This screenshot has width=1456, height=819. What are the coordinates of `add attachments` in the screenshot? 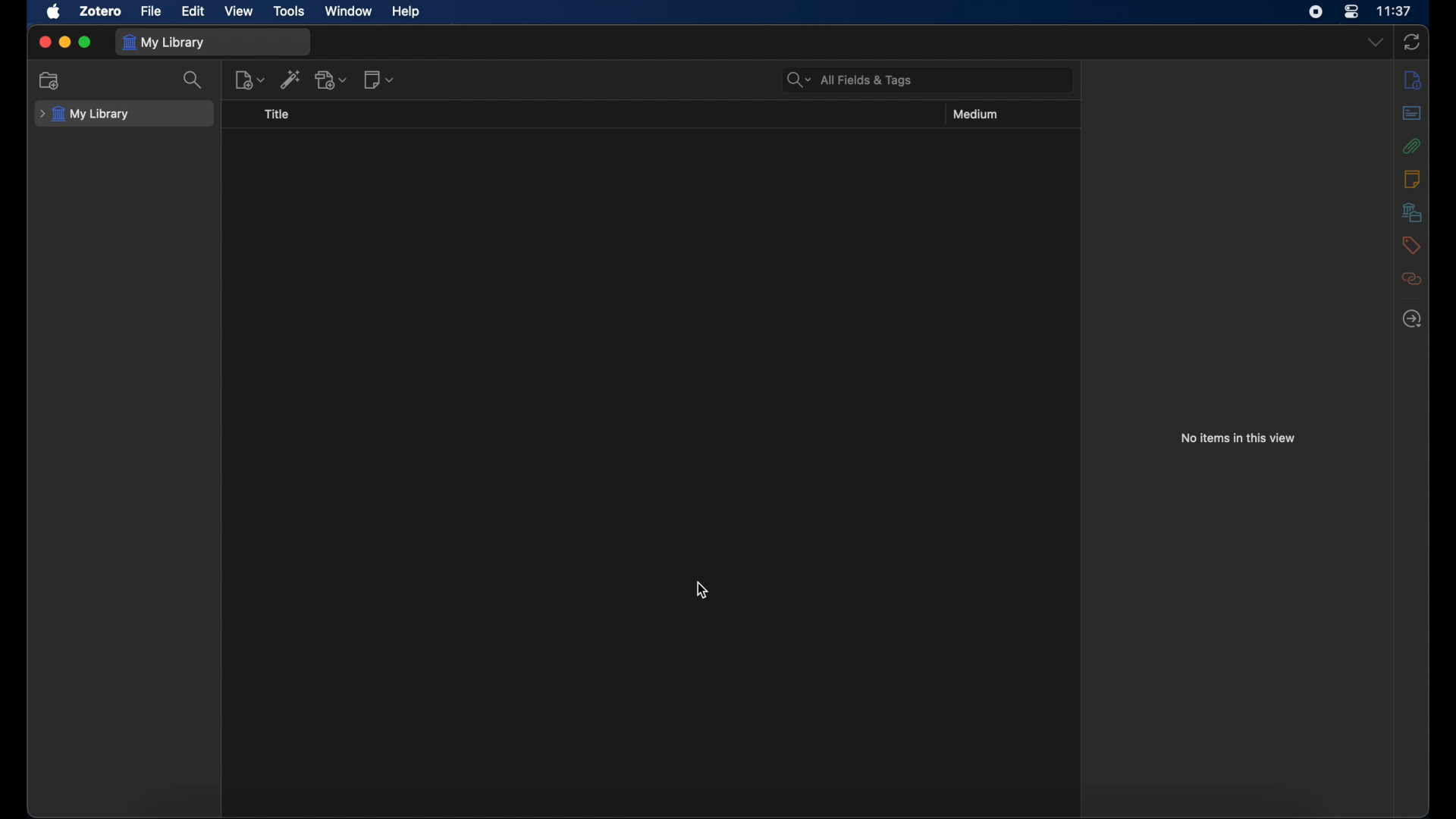 It's located at (332, 79).